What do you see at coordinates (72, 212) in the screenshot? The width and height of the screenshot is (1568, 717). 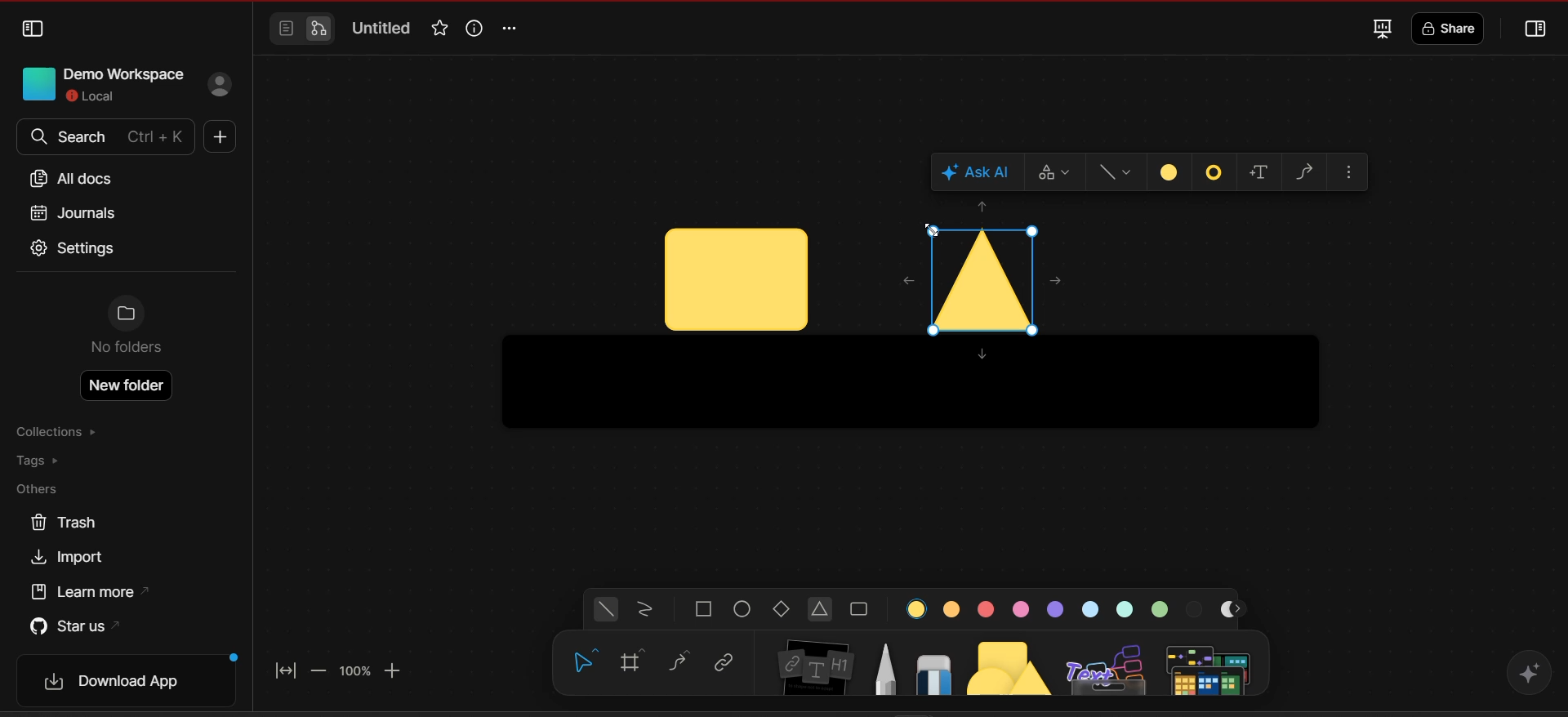 I see `journals` at bounding box center [72, 212].